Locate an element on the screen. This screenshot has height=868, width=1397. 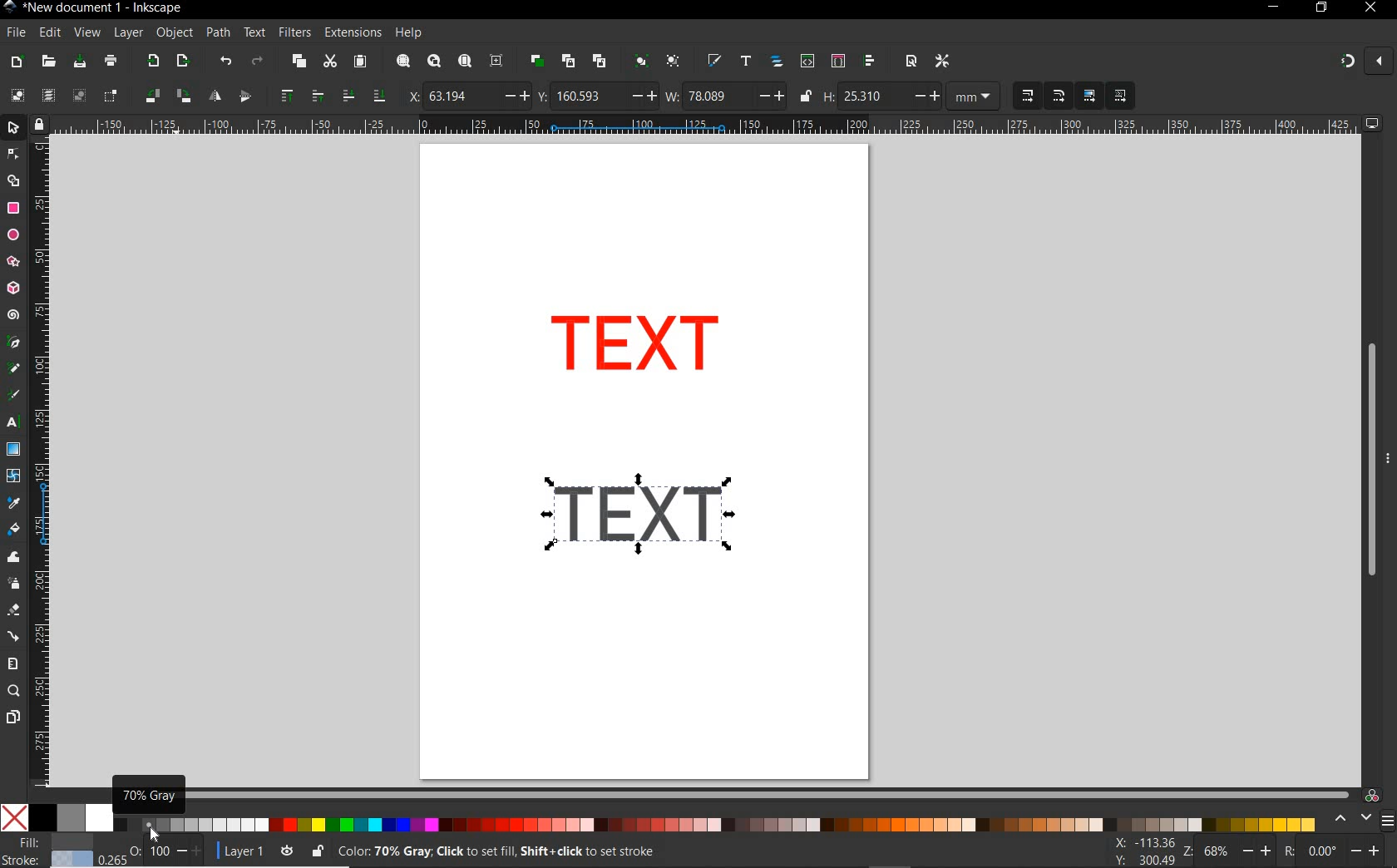
open document properties is located at coordinates (911, 61).